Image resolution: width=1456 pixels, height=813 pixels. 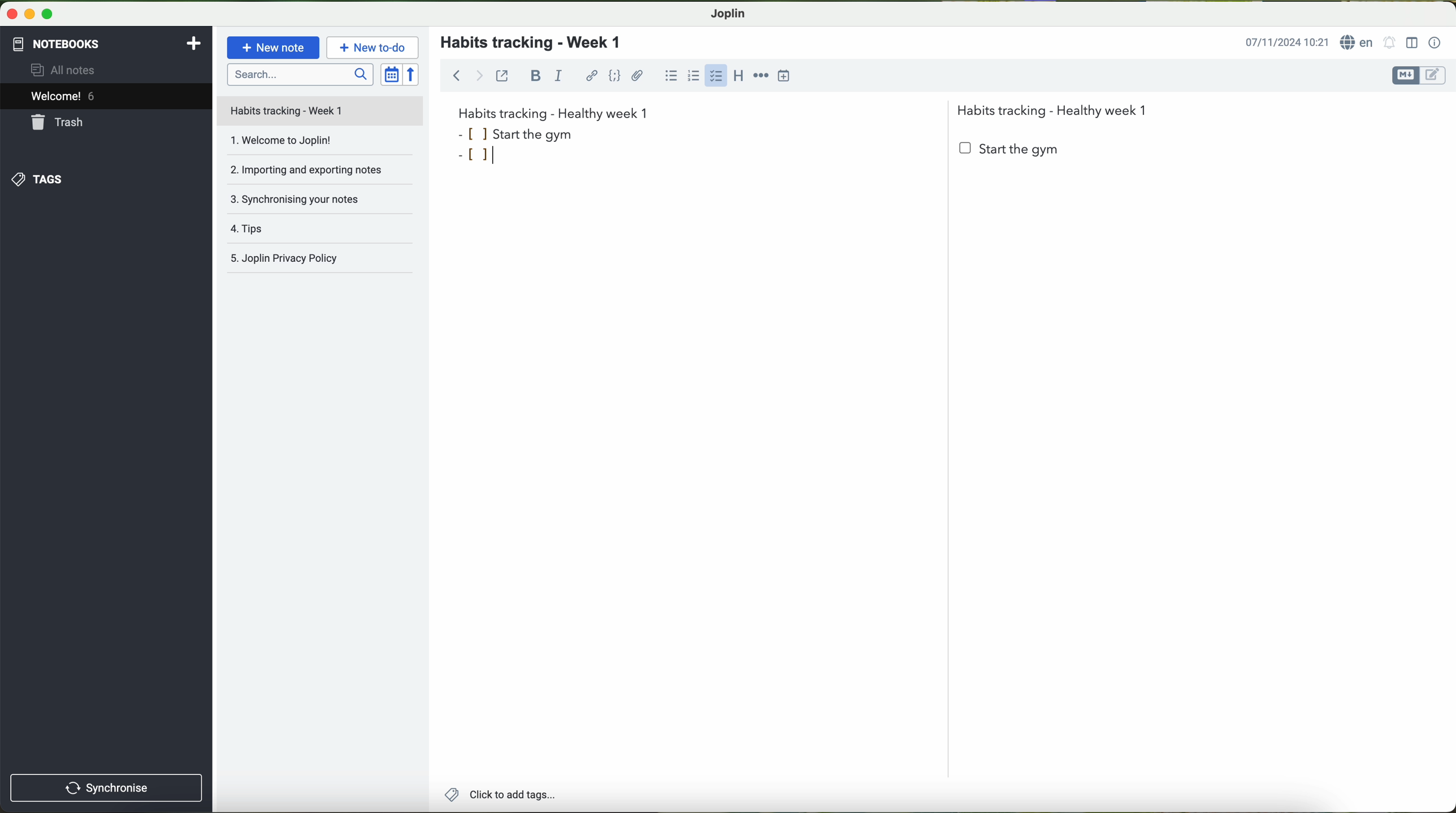 What do you see at coordinates (319, 174) in the screenshot?
I see `importing and exporting notes` at bounding box center [319, 174].